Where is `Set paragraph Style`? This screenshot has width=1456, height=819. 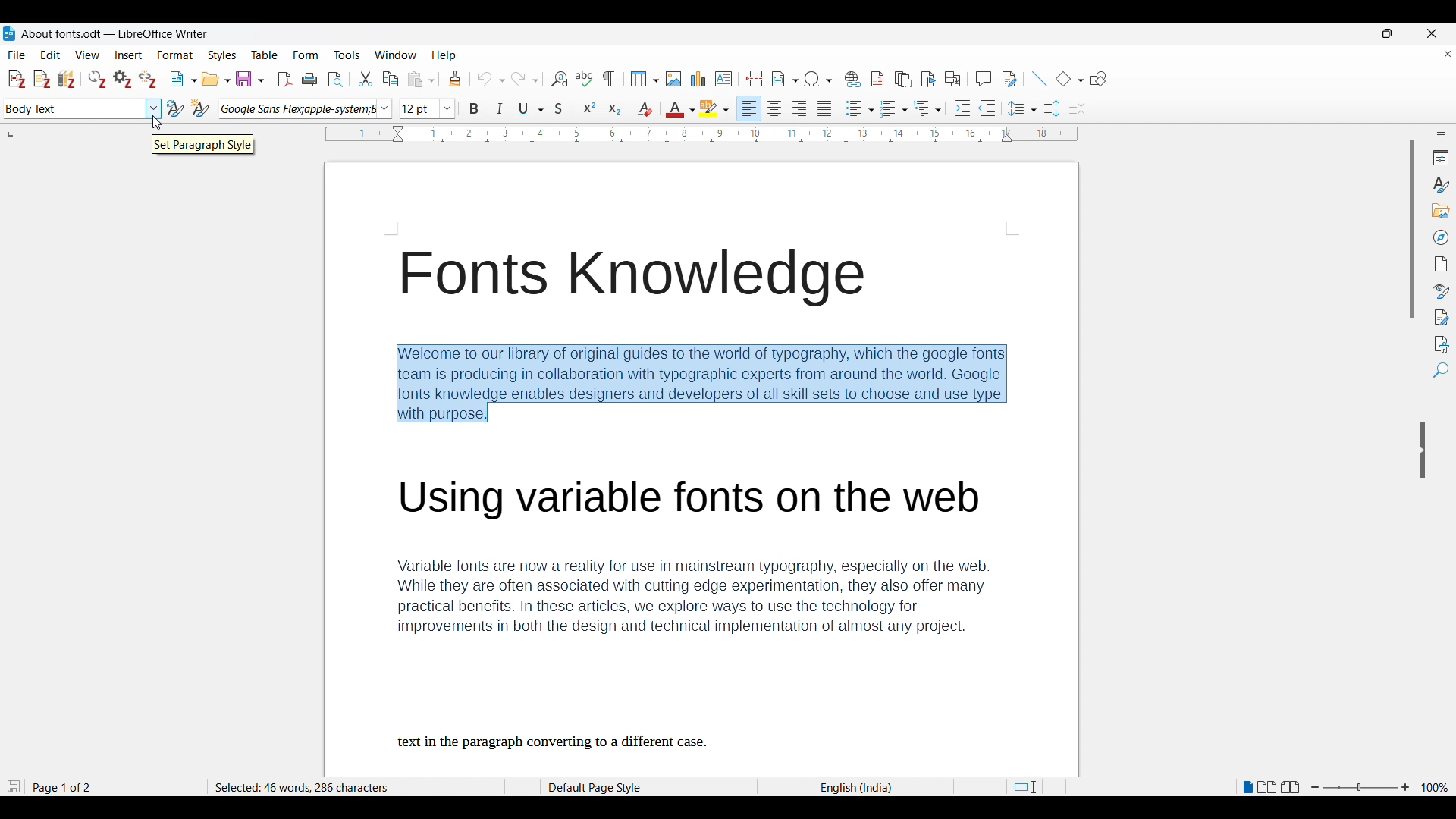
Set paragraph Style is located at coordinates (202, 145).